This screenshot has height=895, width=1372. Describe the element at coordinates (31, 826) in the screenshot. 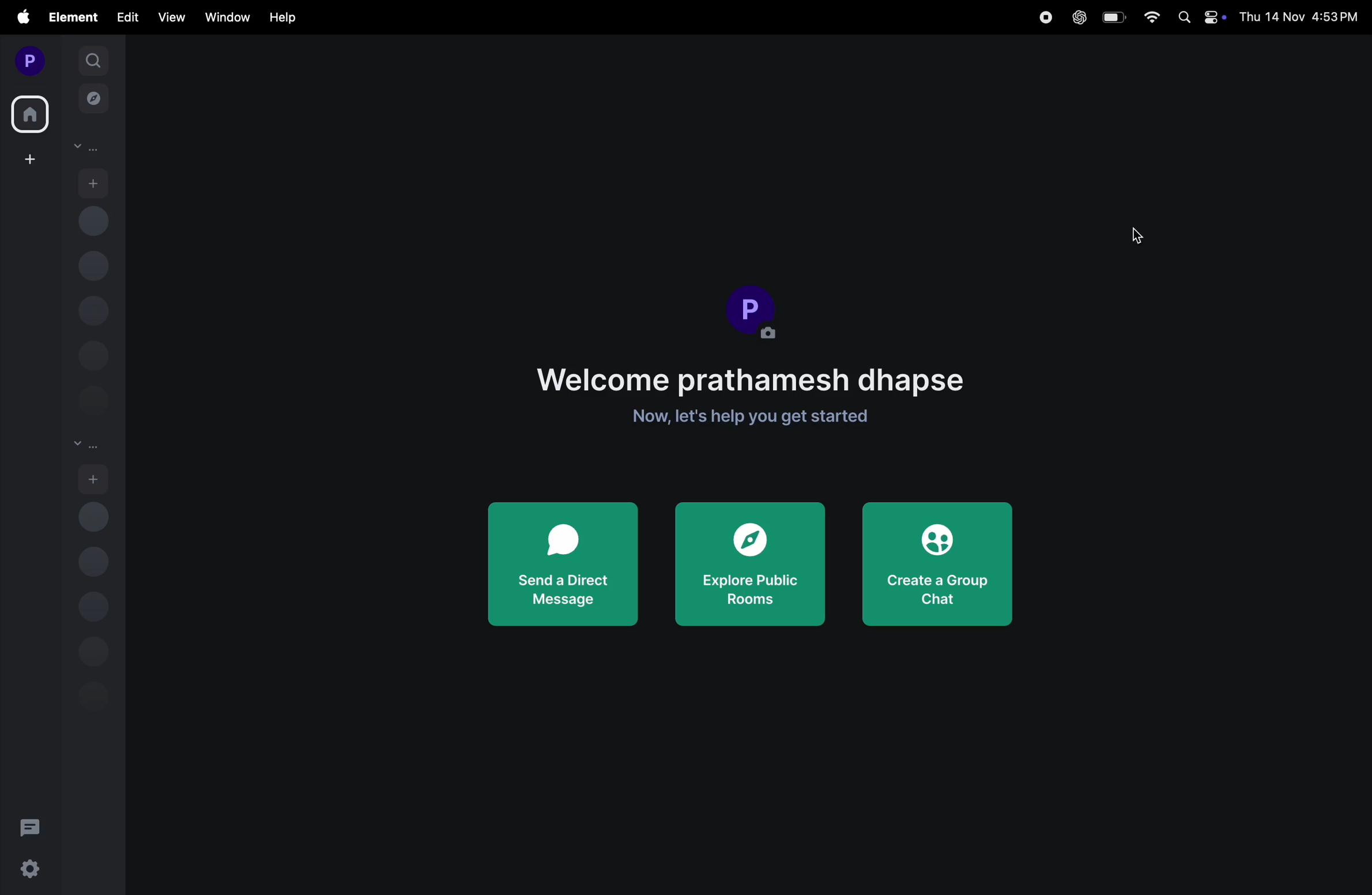

I see `threads` at that location.